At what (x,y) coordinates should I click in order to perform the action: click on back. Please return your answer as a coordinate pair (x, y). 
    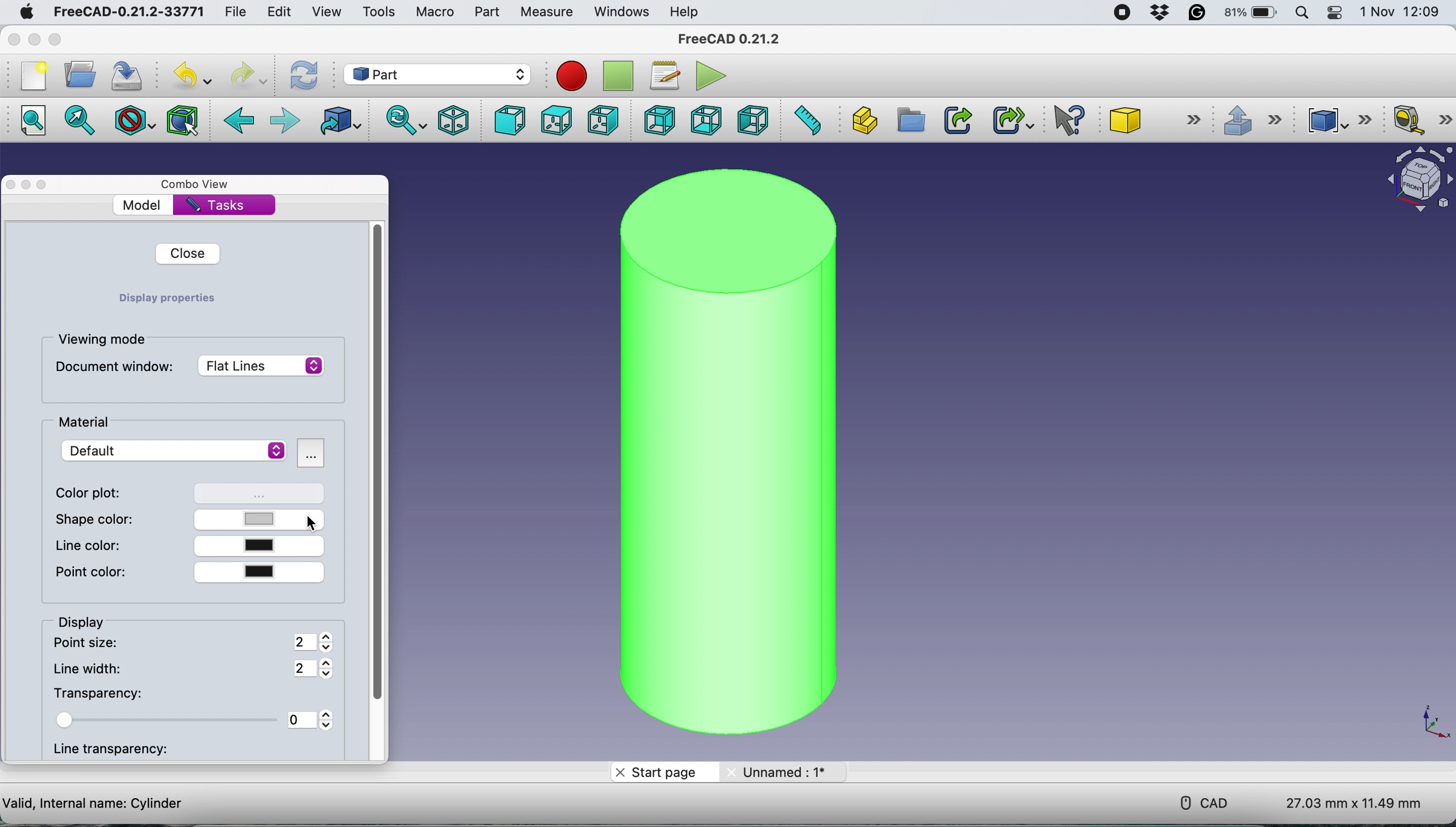
    Looking at the image, I should click on (240, 120).